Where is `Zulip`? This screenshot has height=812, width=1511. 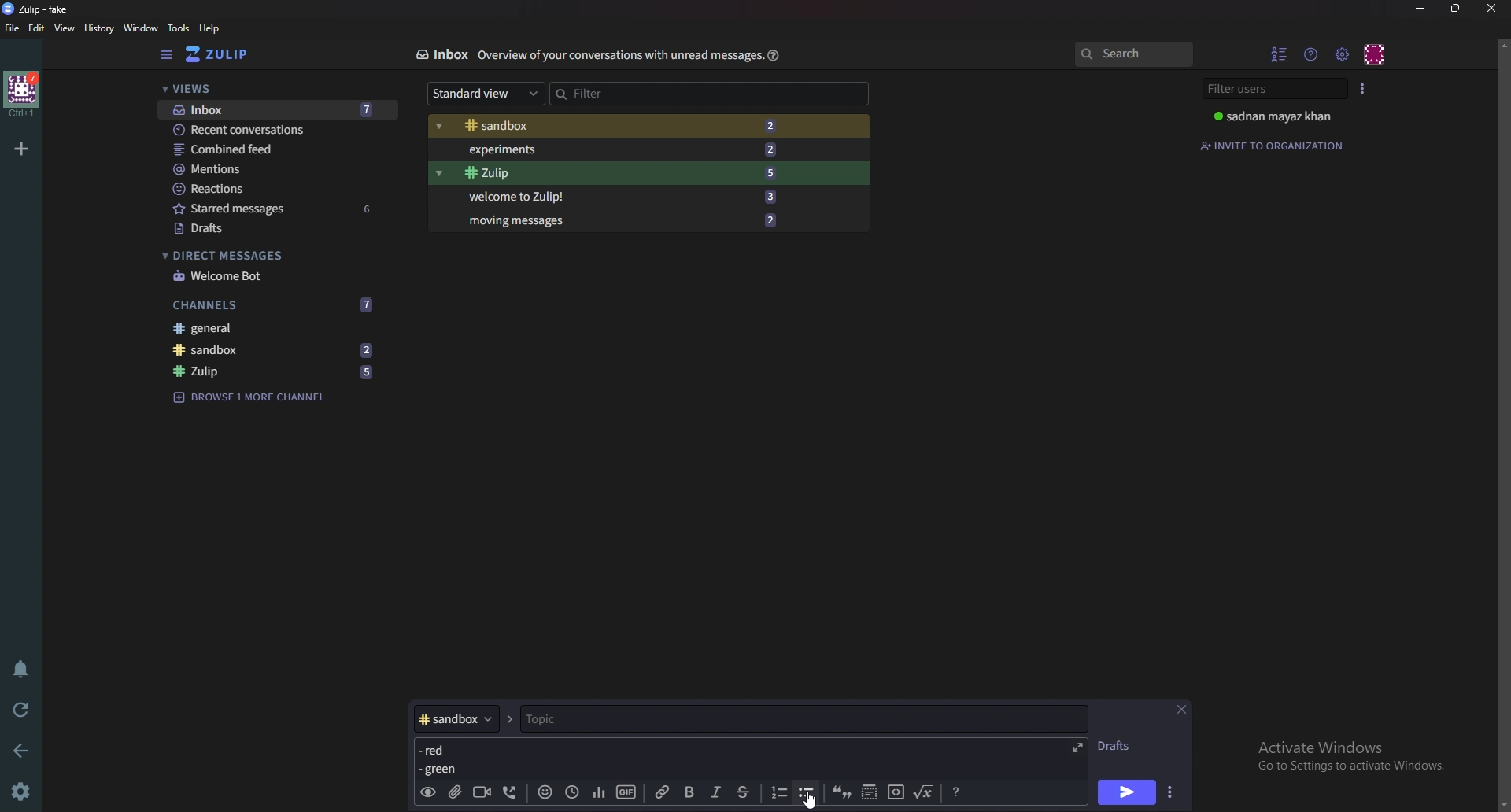 Zulip is located at coordinates (618, 173).